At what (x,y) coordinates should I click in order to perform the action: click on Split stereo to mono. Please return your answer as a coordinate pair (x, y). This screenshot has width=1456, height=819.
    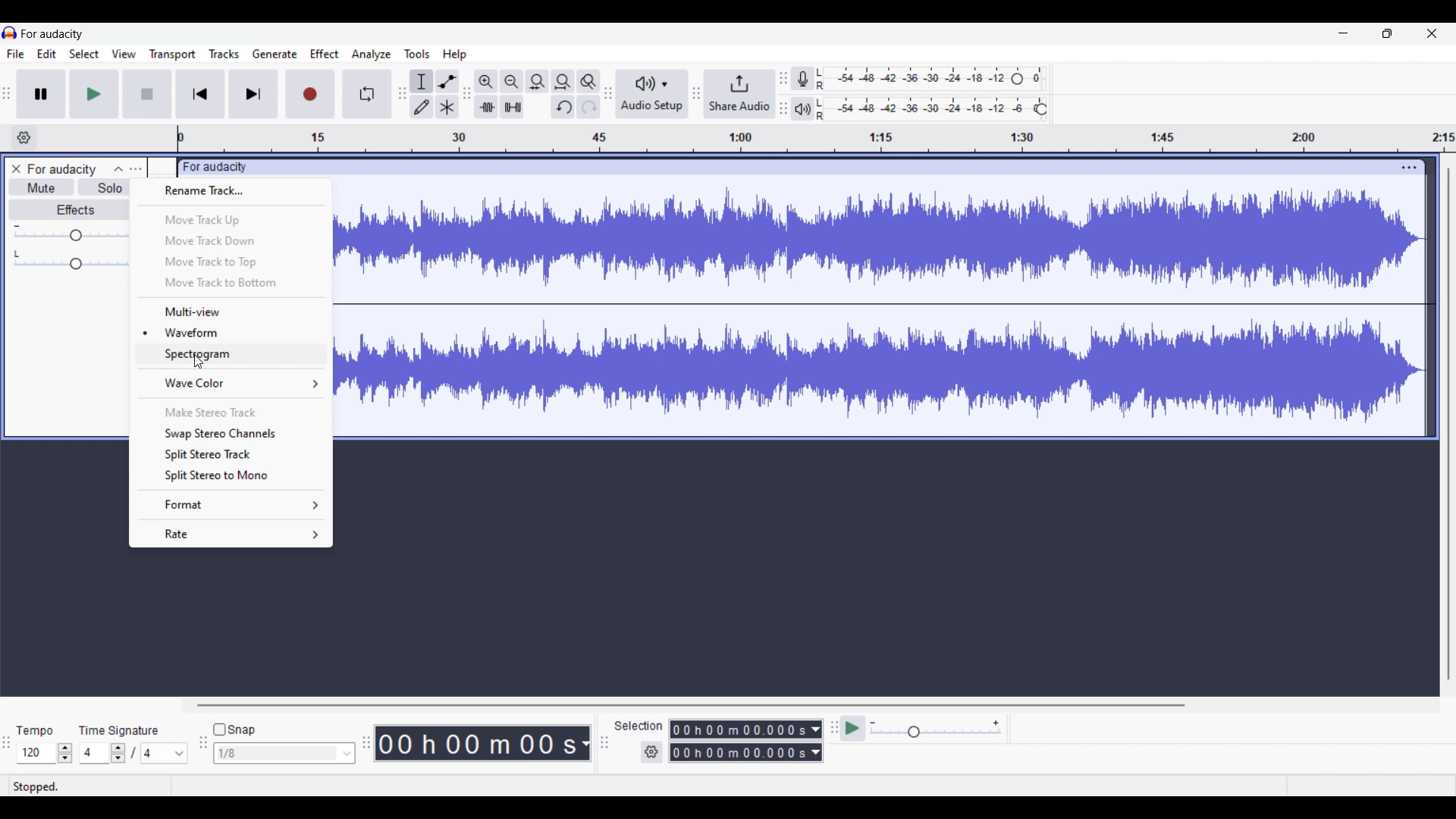
    Looking at the image, I should click on (231, 477).